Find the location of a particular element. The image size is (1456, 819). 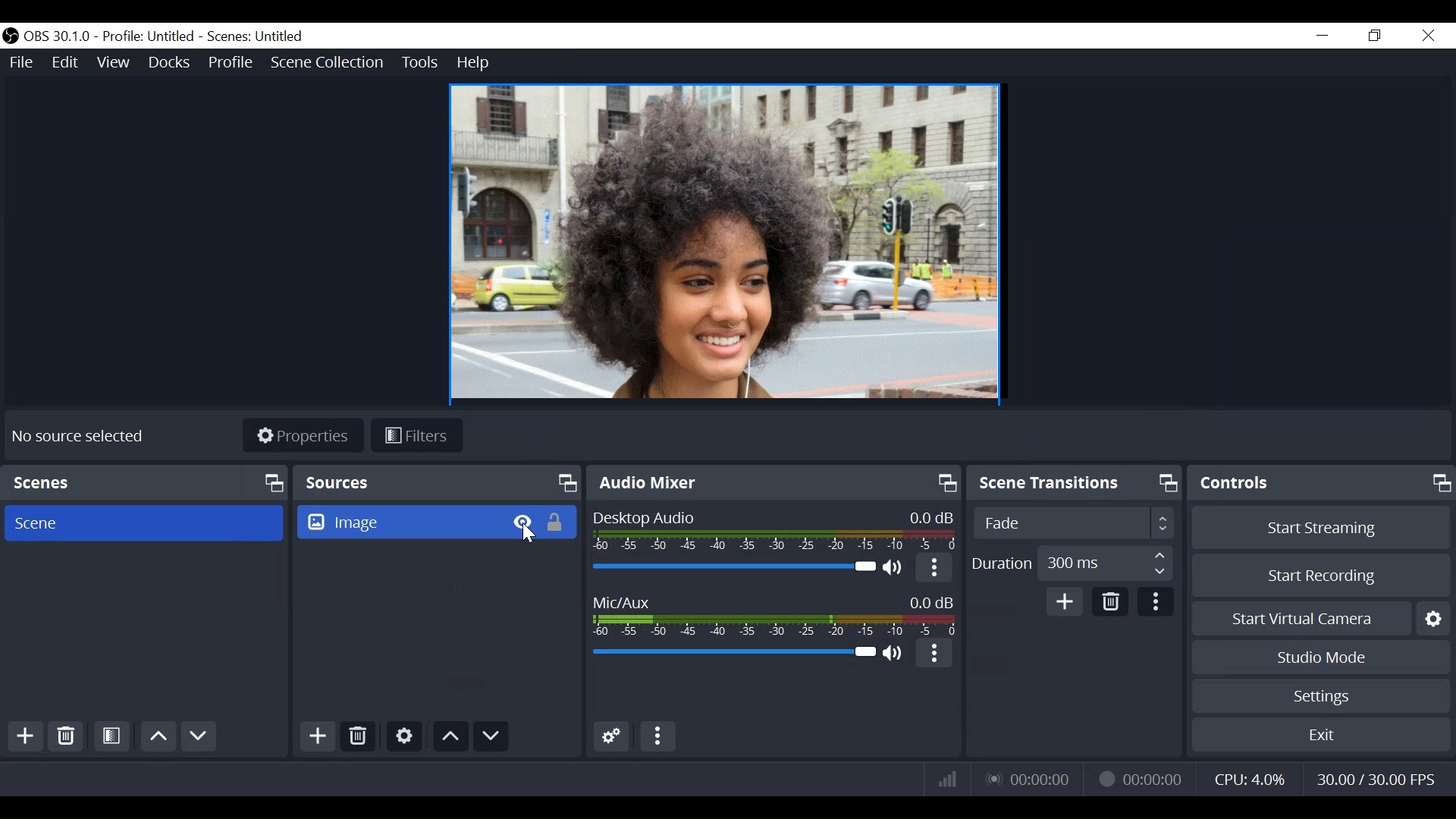

Audio Mixer is located at coordinates (772, 483).